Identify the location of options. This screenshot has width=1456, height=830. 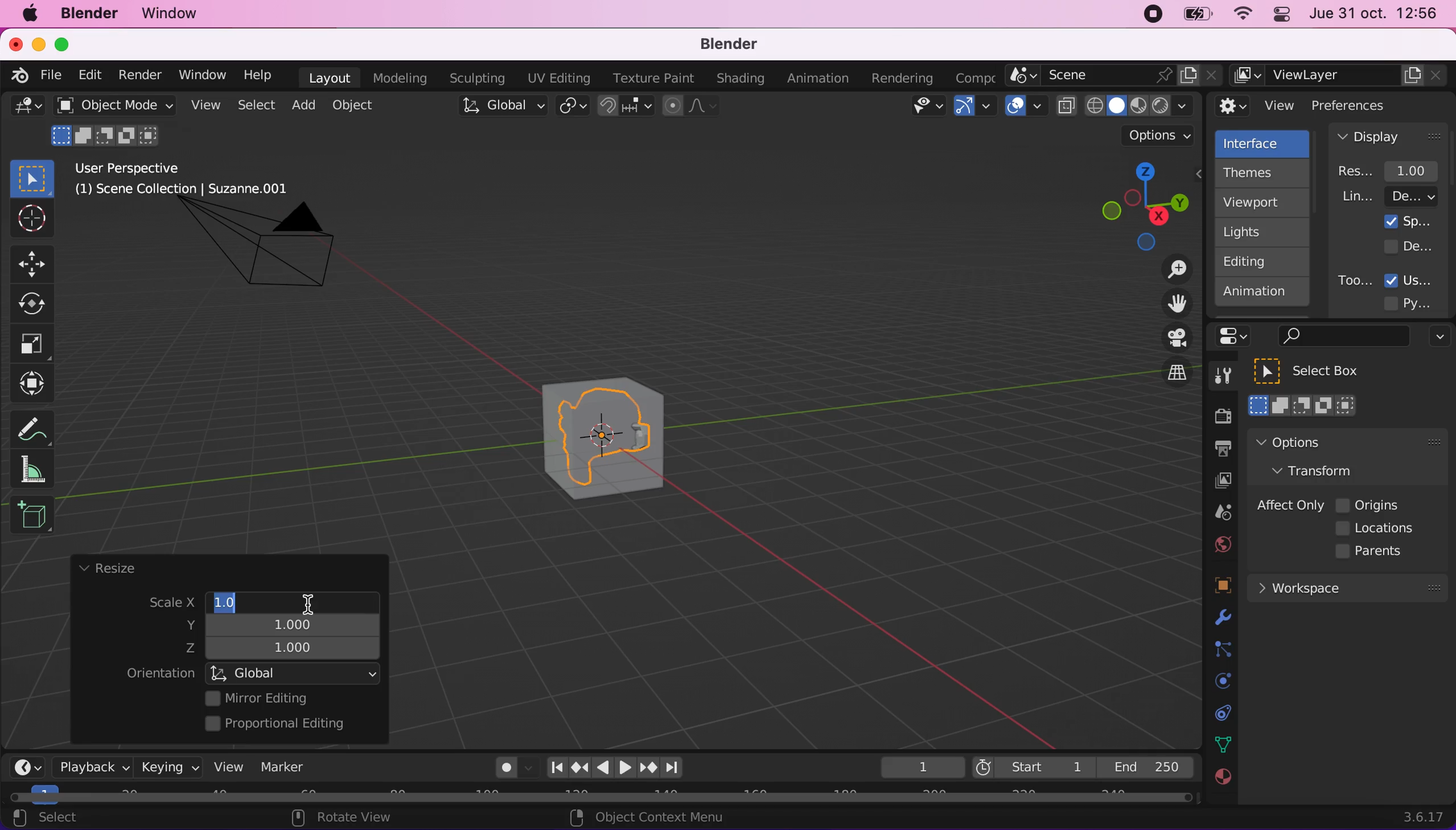
(1320, 442).